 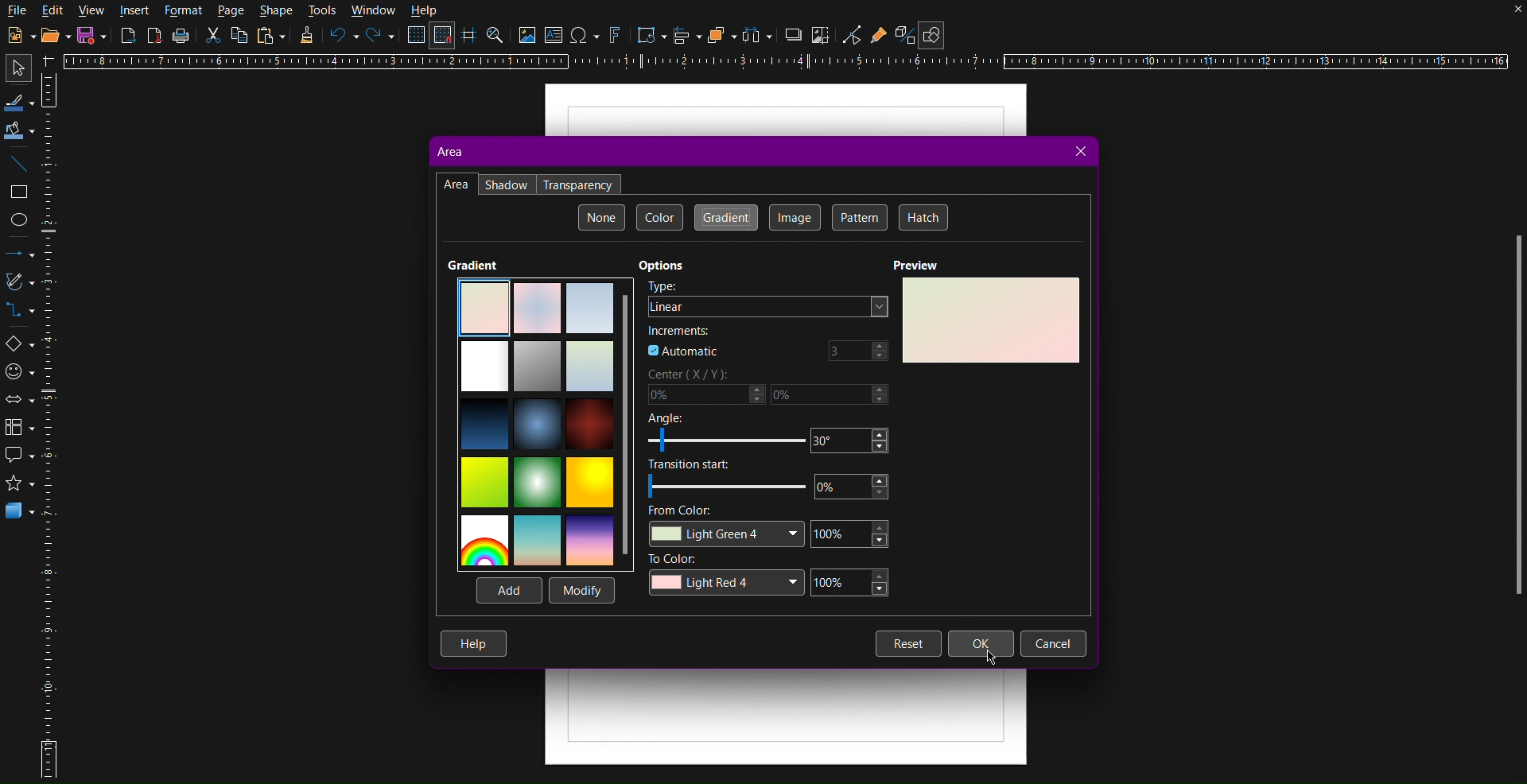 What do you see at coordinates (616, 37) in the screenshot?
I see `Fontworks` at bounding box center [616, 37].